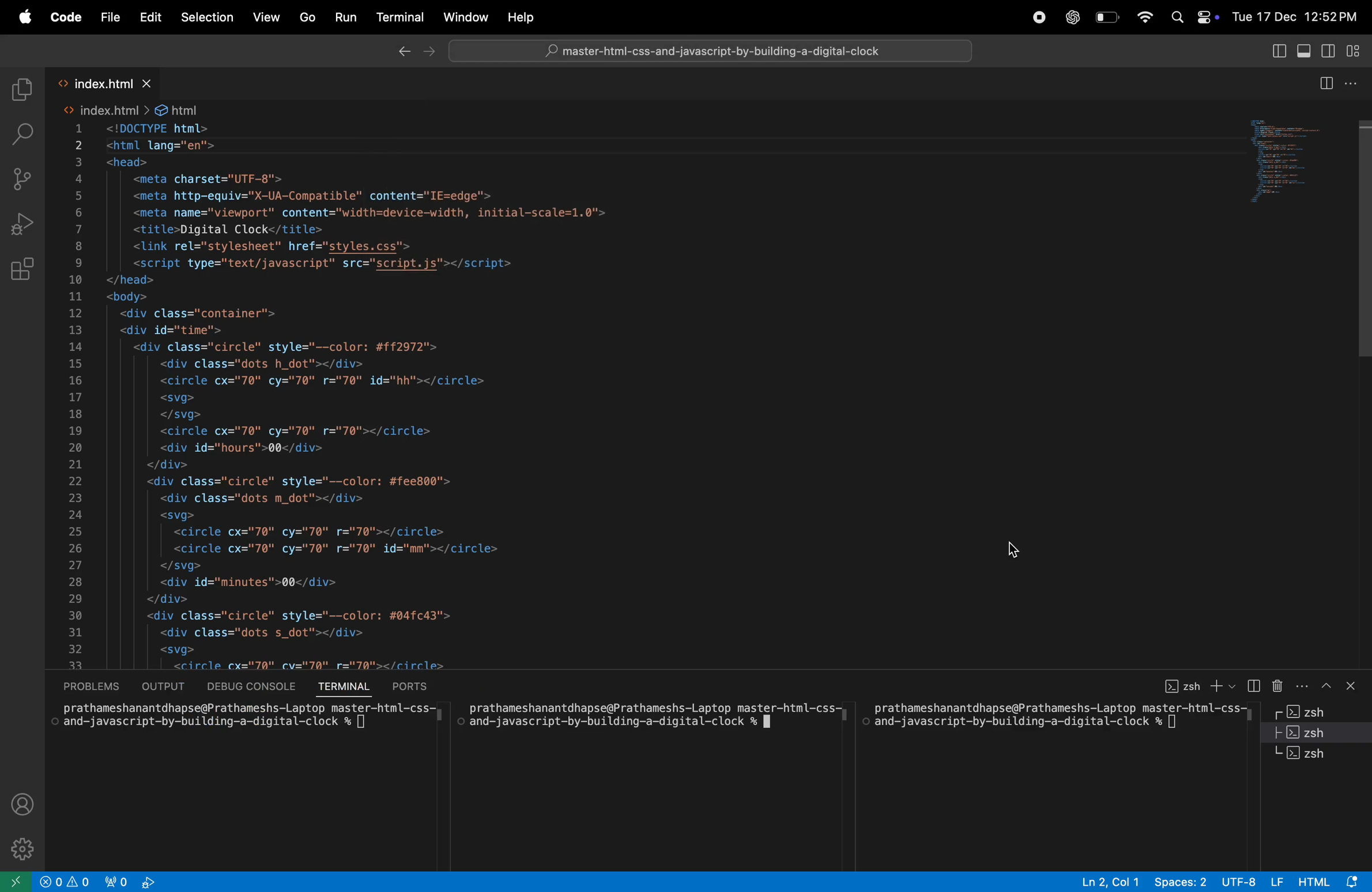 The width and height of the screenshot is (1372, 892). Describe the element at coordinates (1319, 736) in the screenshot. I see `Zsh` at that location.